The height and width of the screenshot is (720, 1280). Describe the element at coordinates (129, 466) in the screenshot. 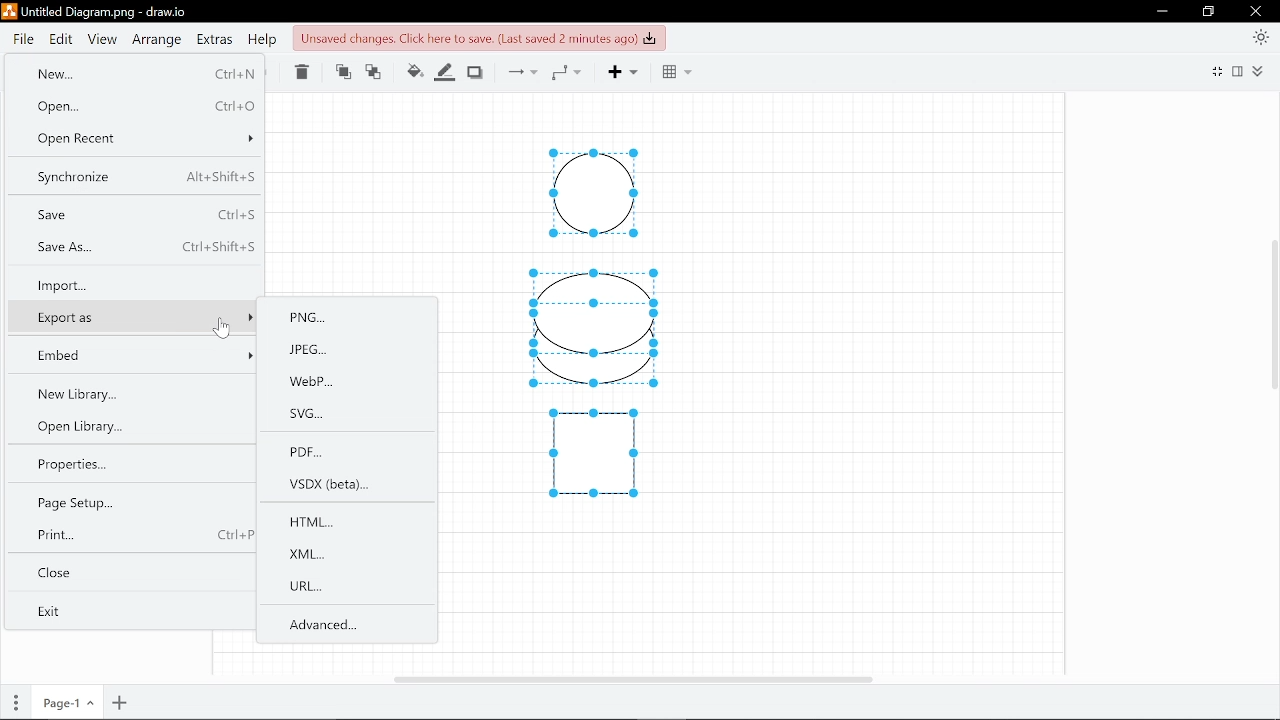

I see `properties` at that location.